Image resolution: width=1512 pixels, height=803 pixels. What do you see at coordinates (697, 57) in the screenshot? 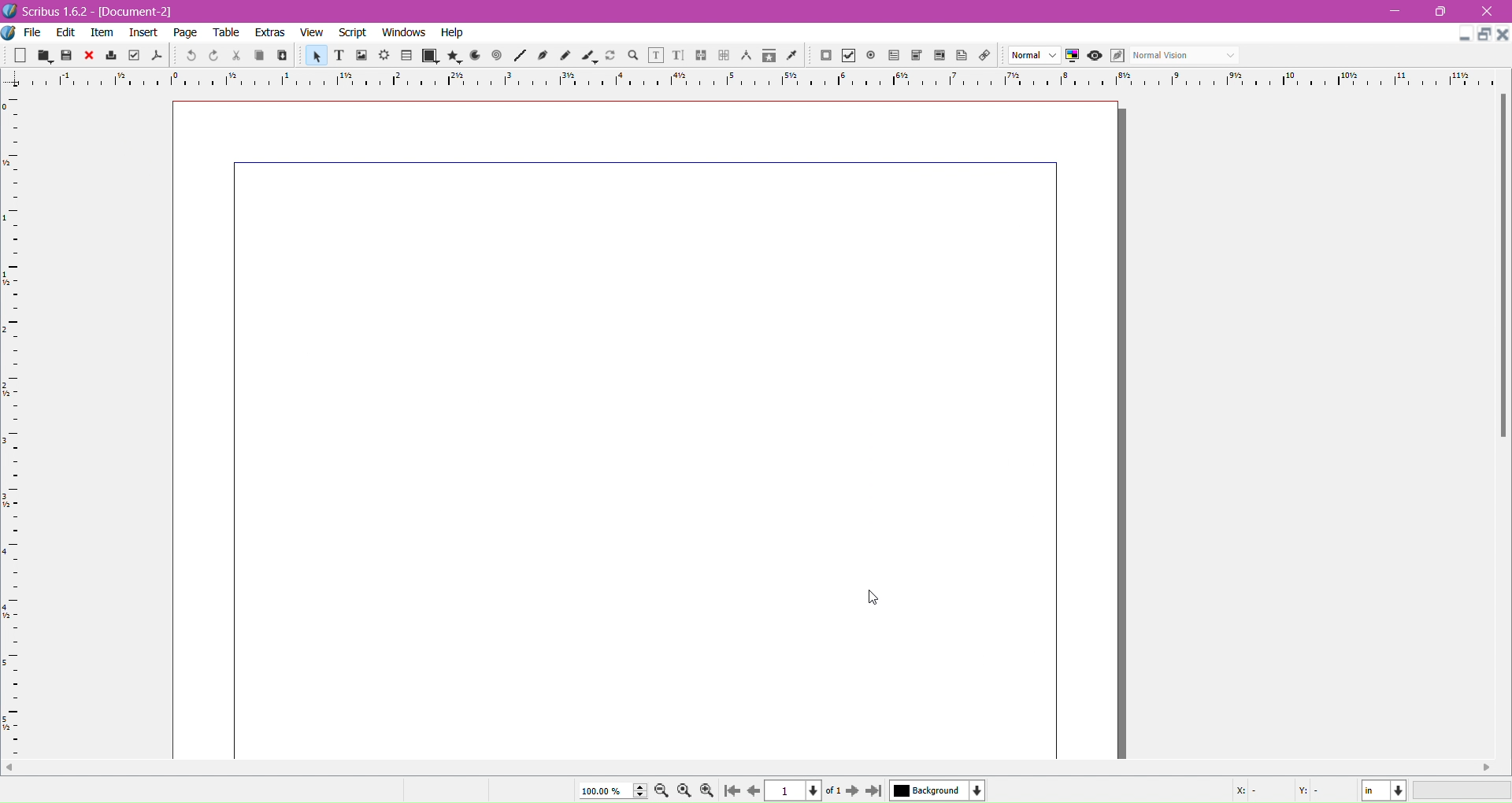
I see `icon` at bounding box center [697, 57].